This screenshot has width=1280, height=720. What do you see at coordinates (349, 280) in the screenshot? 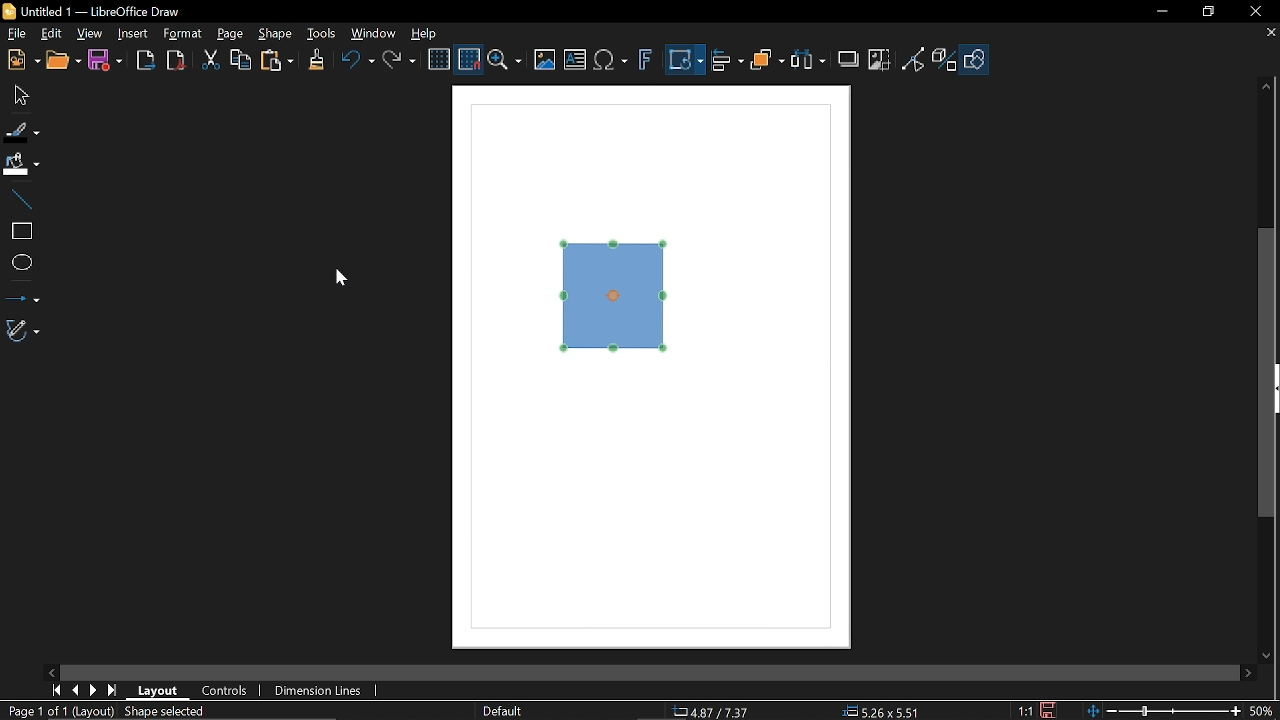
I see `Cursor` at bounding box center [349, 280].